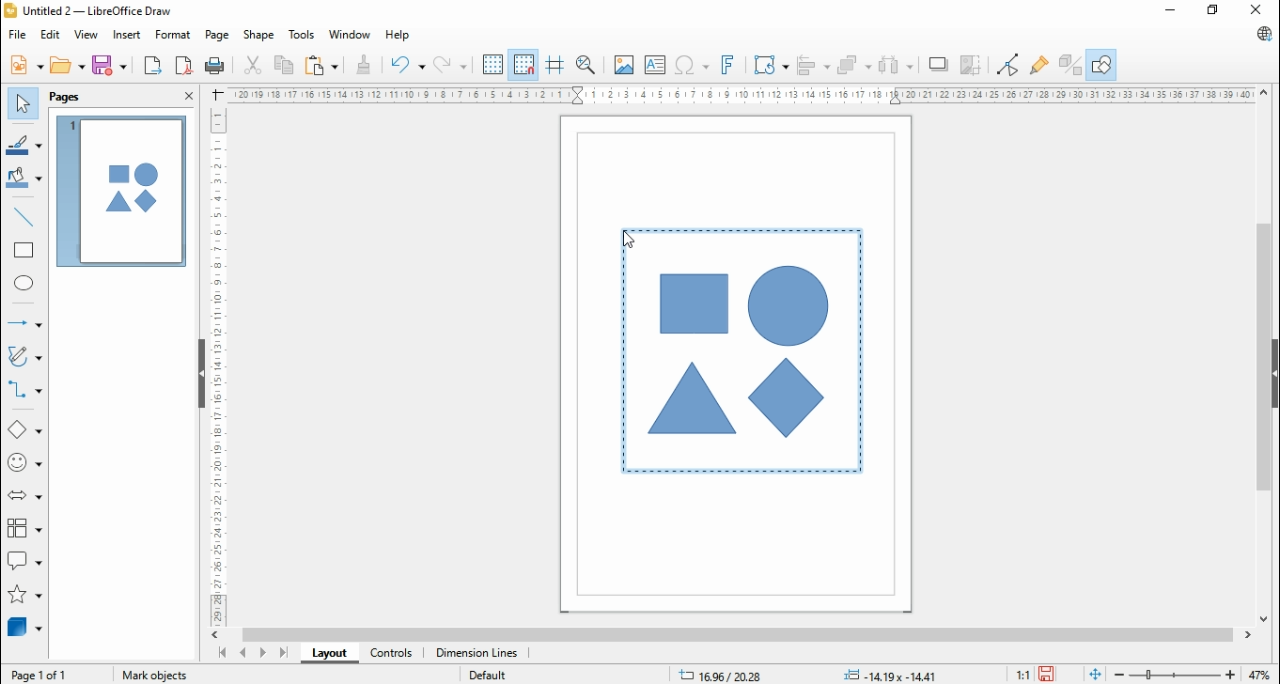  What do you see at coordinates (23, 104) in the screenshot?
I see `select` at bounding box center [23, 104].